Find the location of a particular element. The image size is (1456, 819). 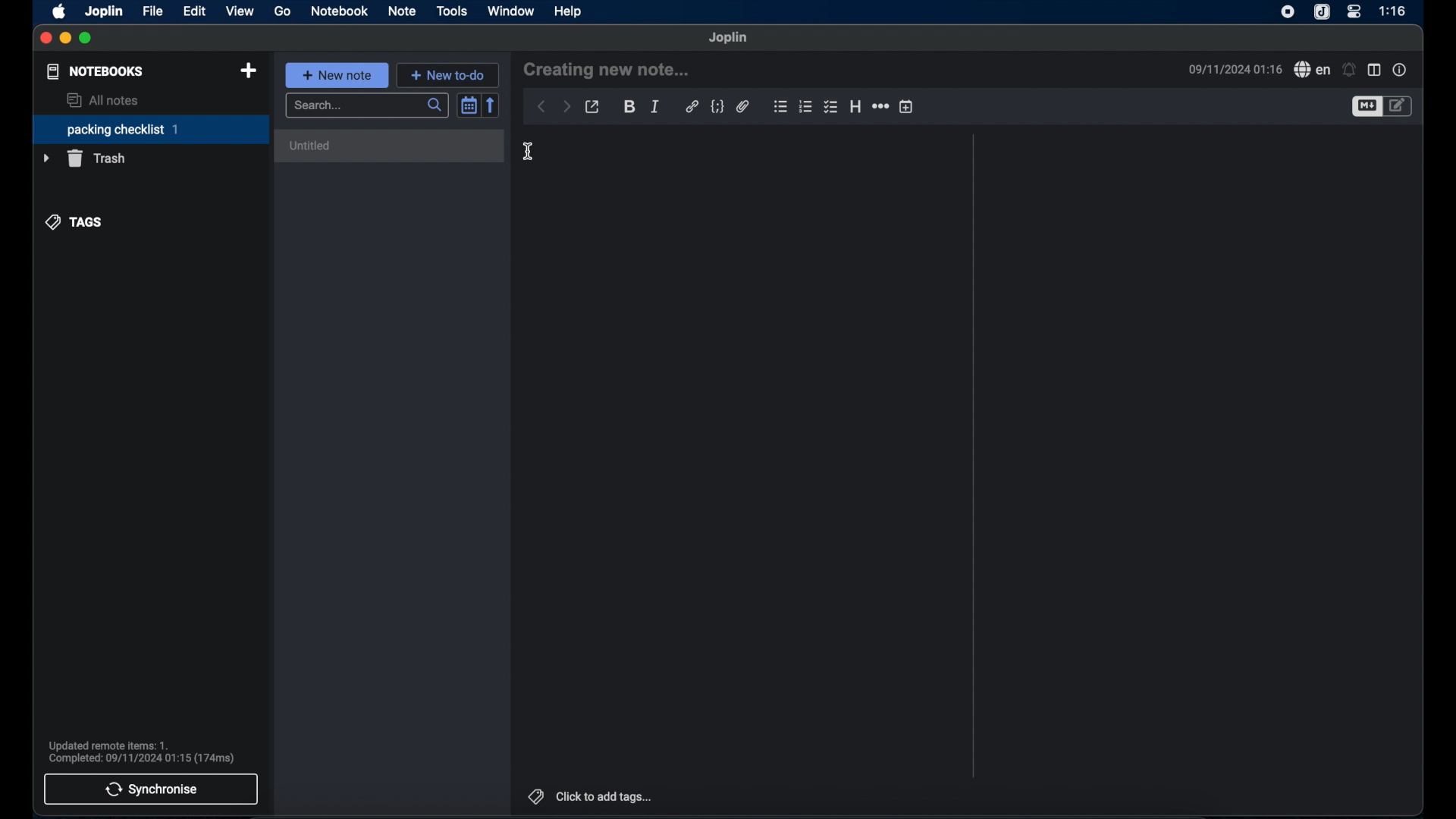

file is located at coordinates (154, 11).